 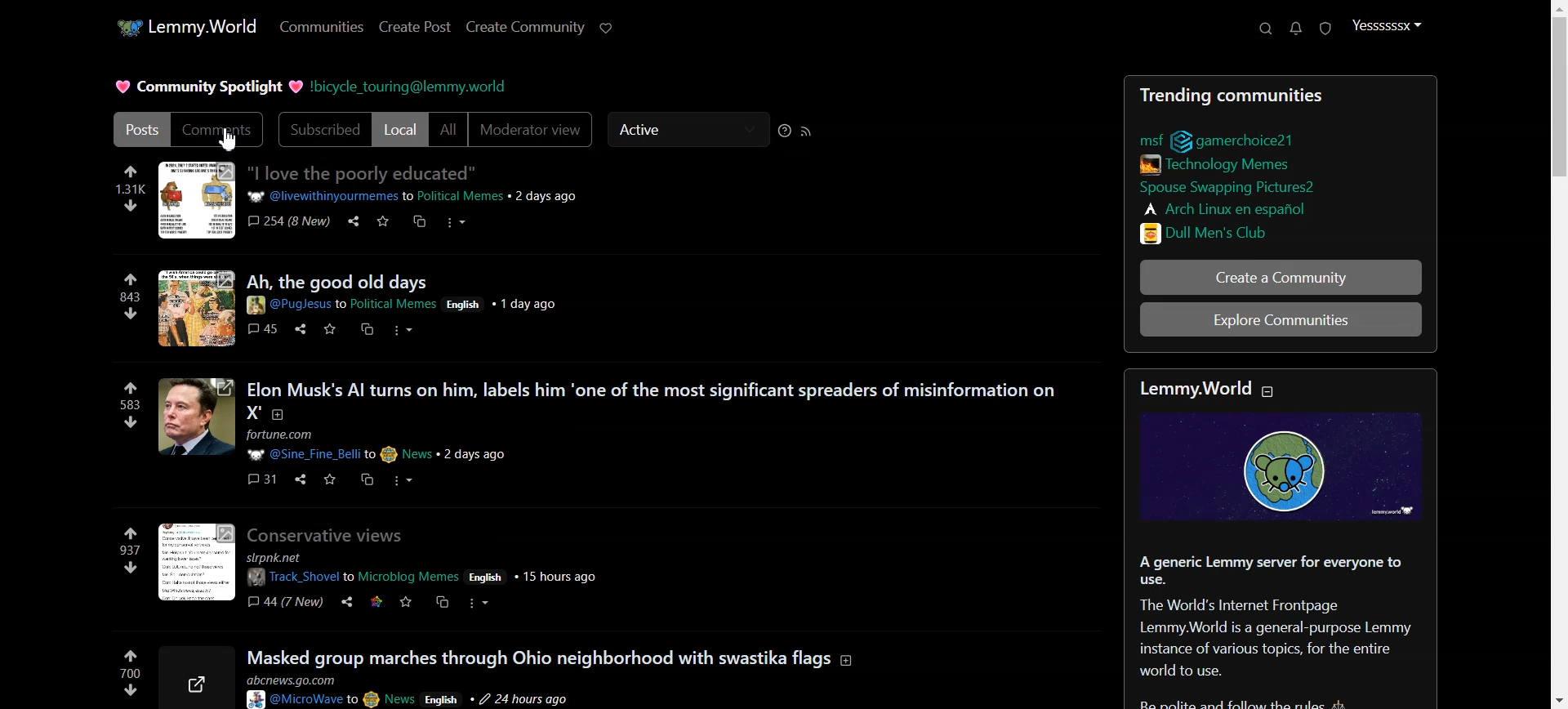 I want to click on post details, so click(x=423, y=569).